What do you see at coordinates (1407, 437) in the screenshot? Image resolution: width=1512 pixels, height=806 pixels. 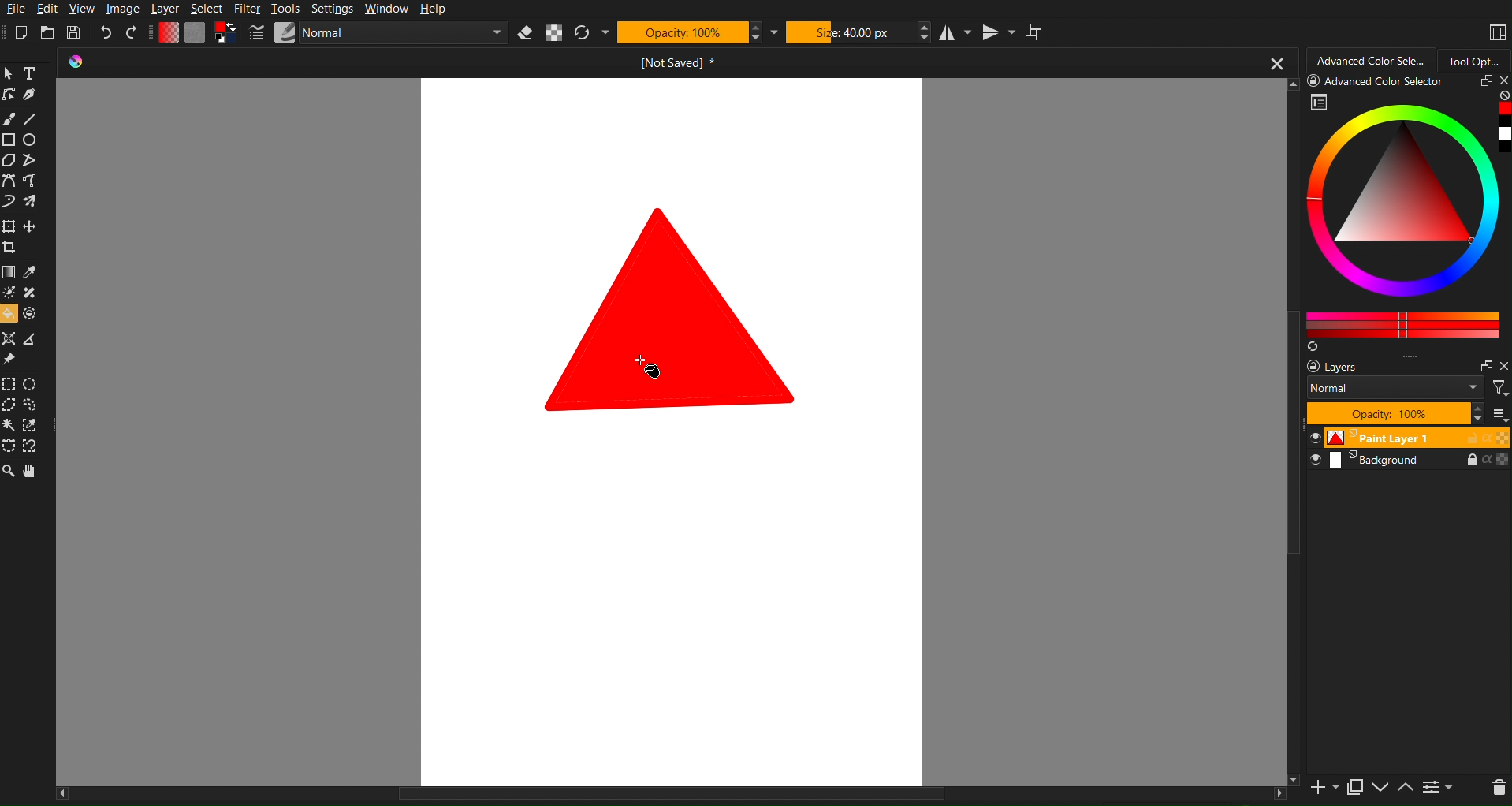 I see `paint layer 1` at bounding box center [1407, 437].